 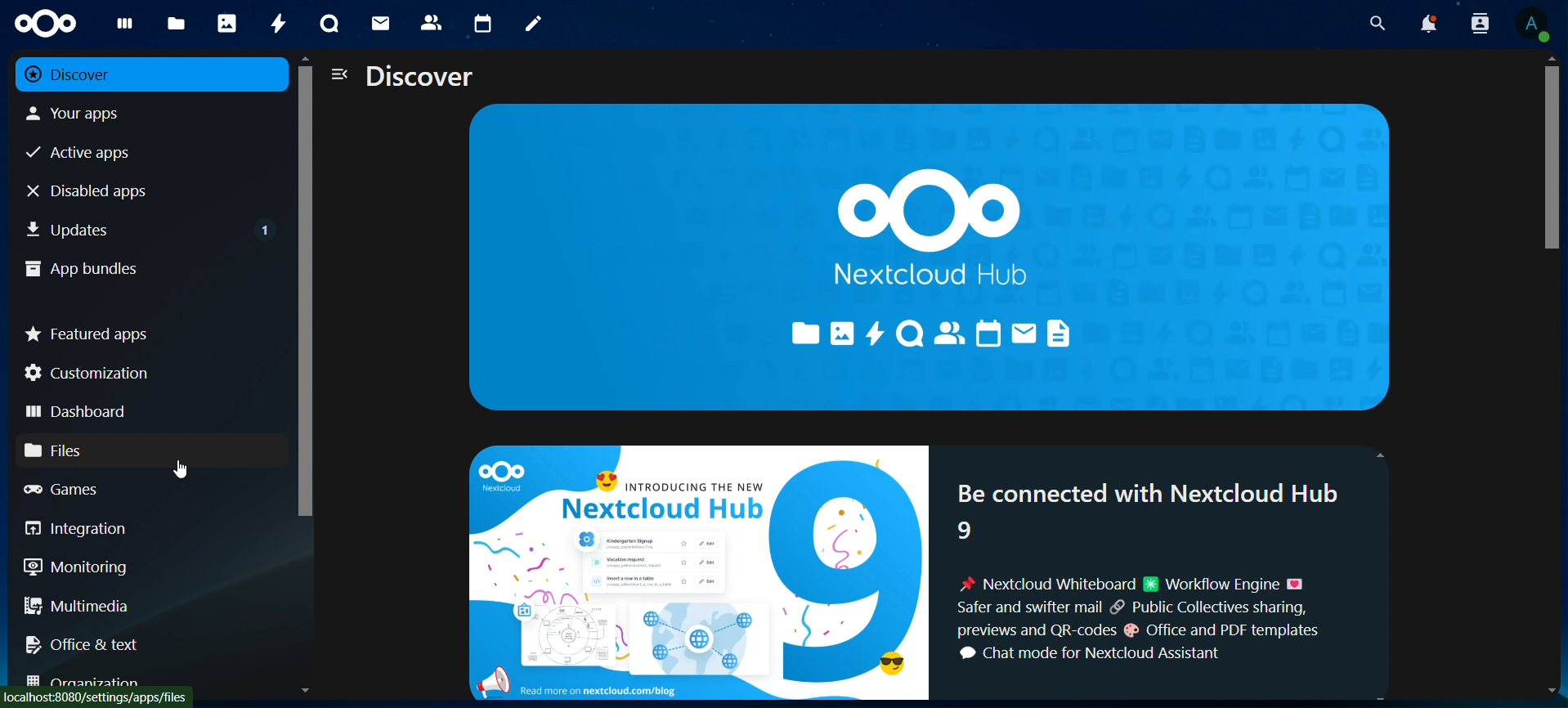 What do you see at coordinates (1538, 25) in the screenshot?
I see `view profile` at bounding box center [1538, 25].